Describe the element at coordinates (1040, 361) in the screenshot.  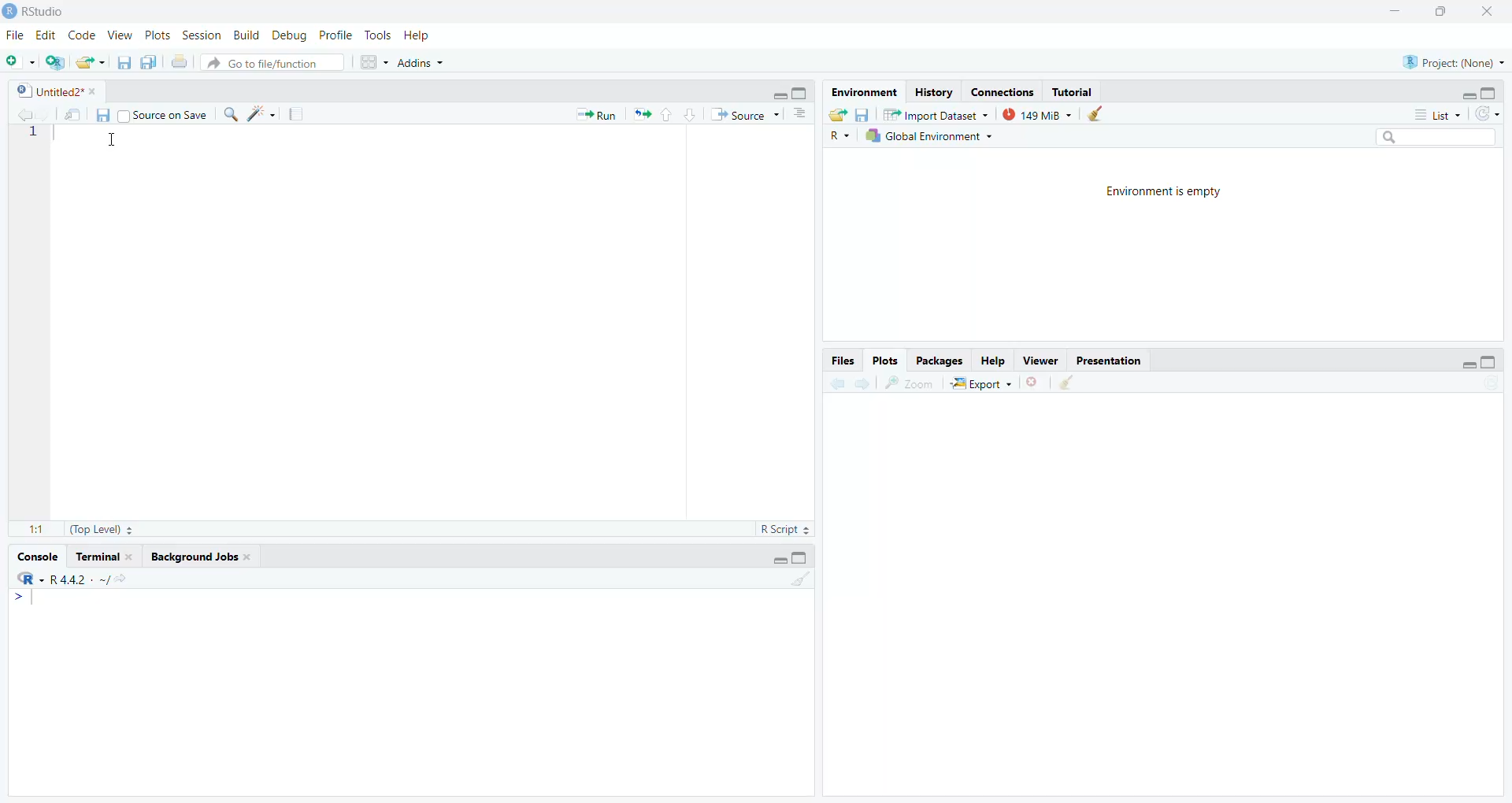
I see `View` at that location.